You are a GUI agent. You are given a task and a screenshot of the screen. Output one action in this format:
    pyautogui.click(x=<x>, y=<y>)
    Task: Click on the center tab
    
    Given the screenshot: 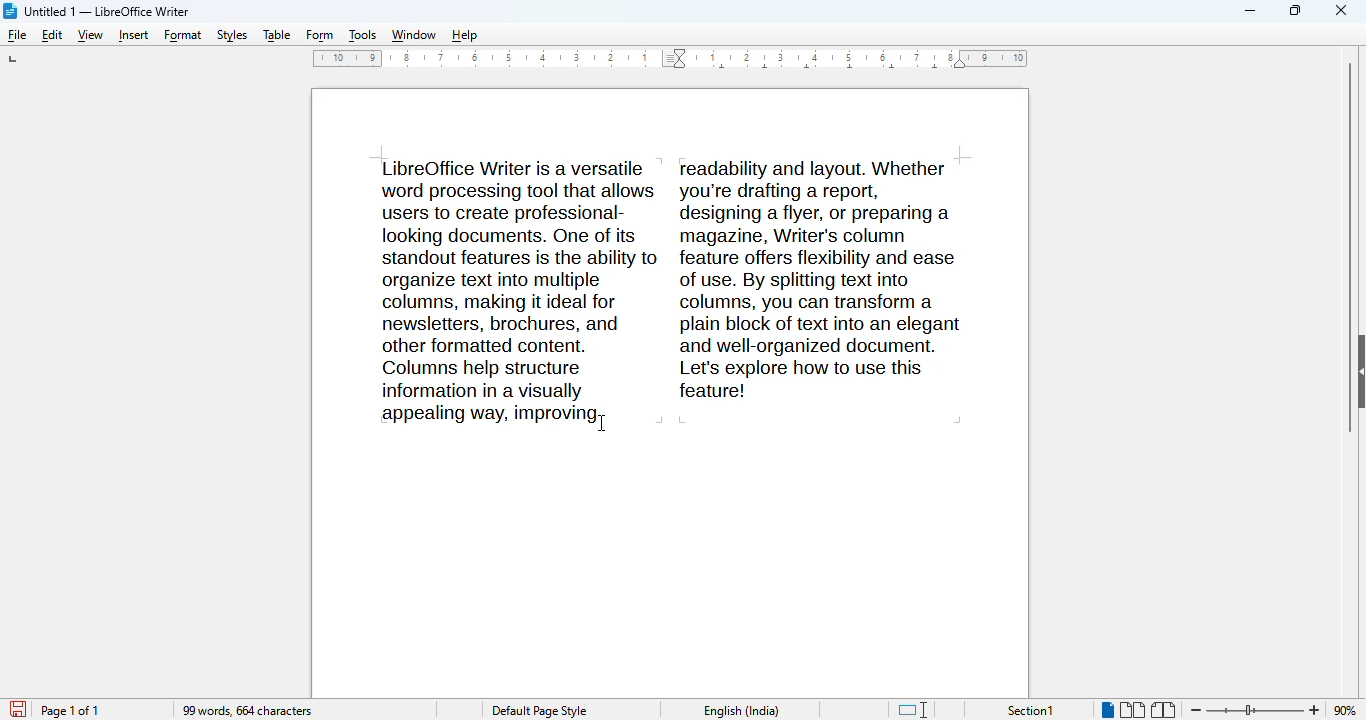 What is the action you would take?
    pyautogui.click(x=765, y=68)
    